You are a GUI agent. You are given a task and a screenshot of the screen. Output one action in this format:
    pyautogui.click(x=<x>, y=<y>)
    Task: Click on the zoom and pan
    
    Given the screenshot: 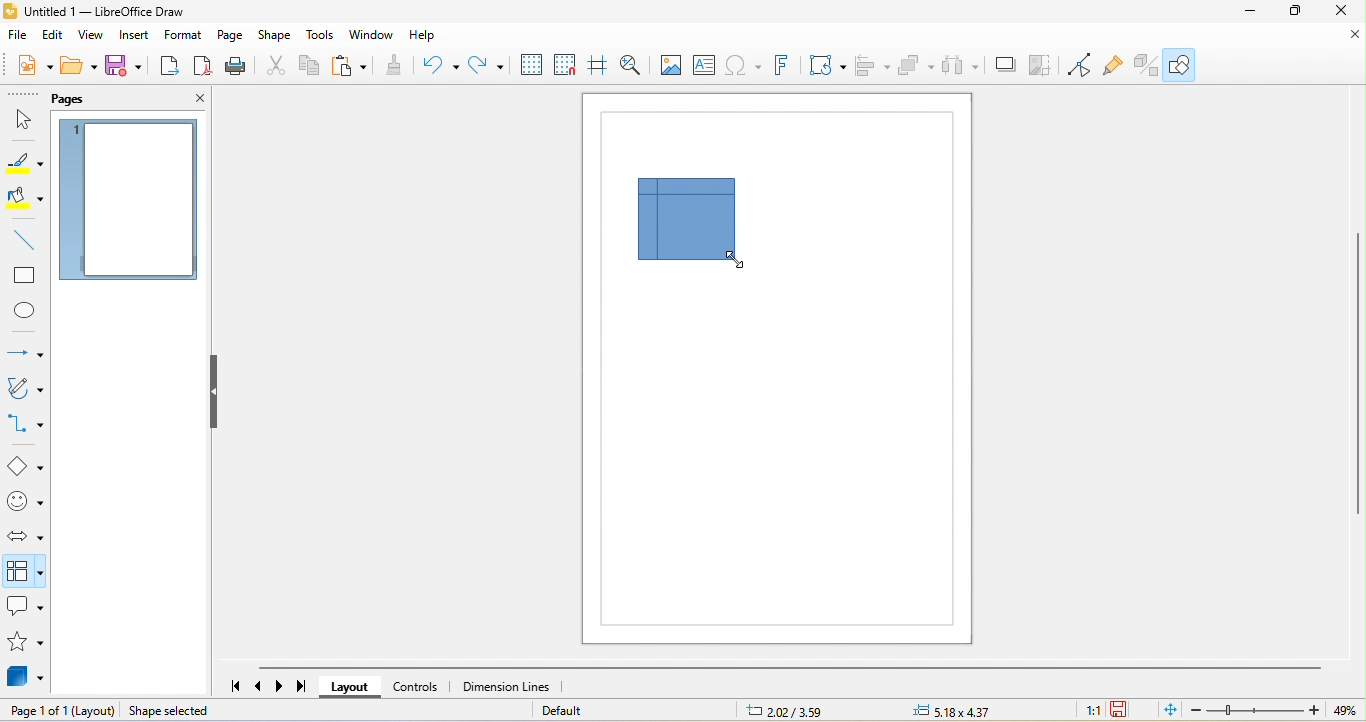 What is the action you would take?
    pyautogui.click(x=633, y=65)
    